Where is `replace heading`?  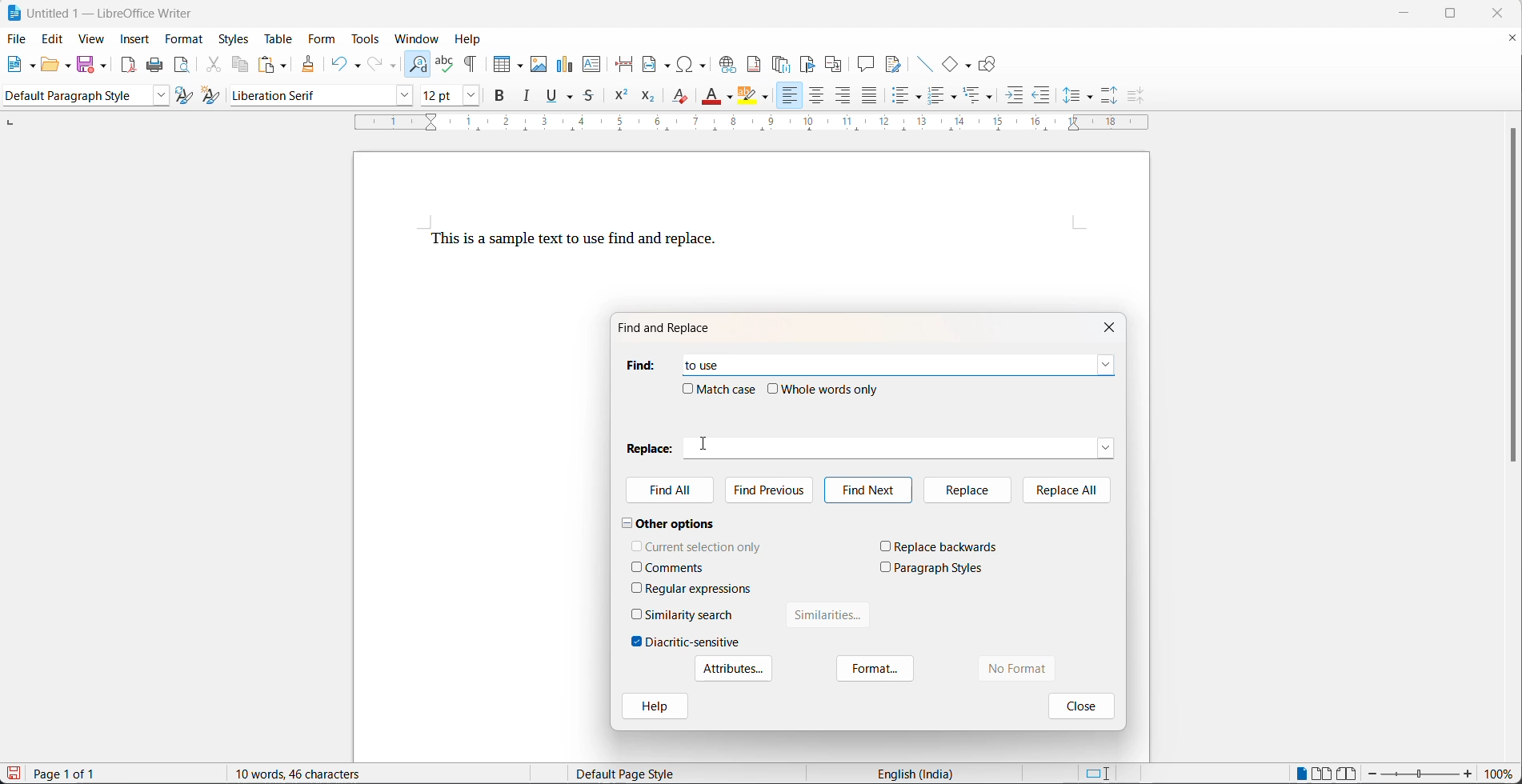
replace heading is located at coordinates (651, 447).